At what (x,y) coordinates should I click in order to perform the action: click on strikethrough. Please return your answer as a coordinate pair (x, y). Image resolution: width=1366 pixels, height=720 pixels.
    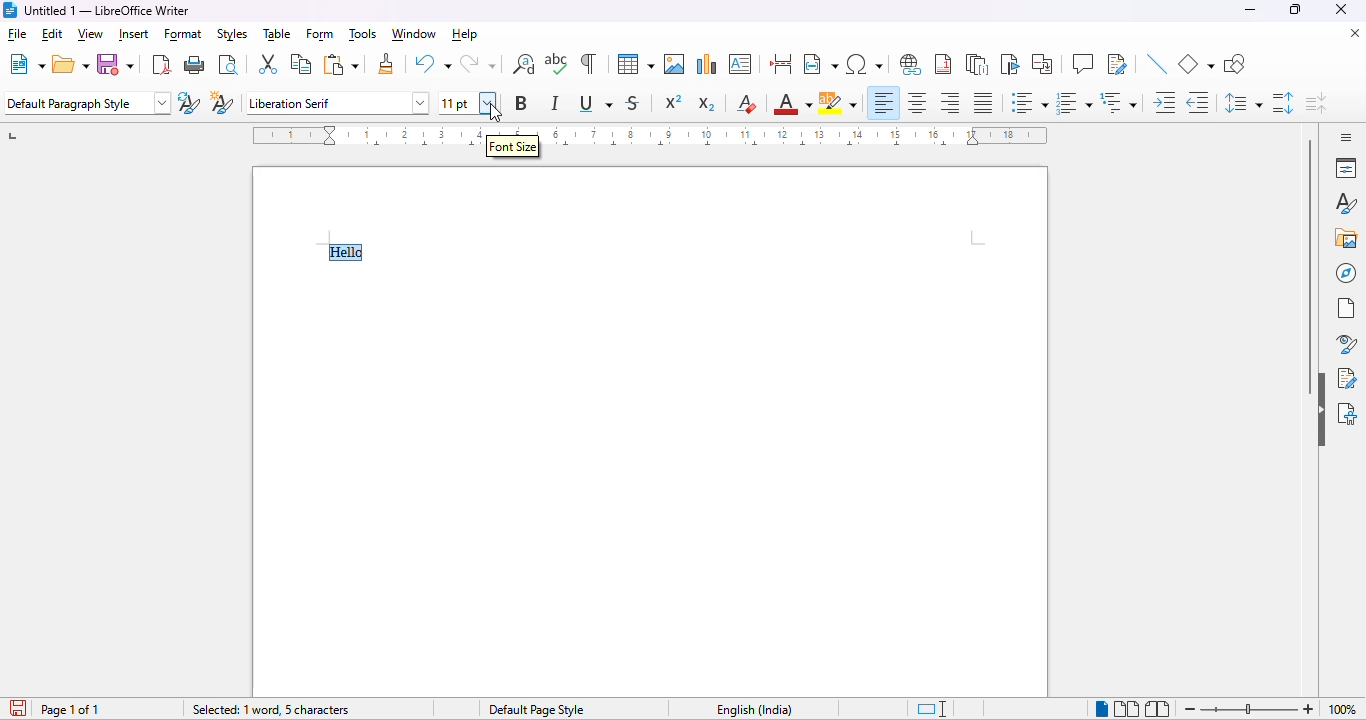
    Looking at the image, I should click on (633, 103).